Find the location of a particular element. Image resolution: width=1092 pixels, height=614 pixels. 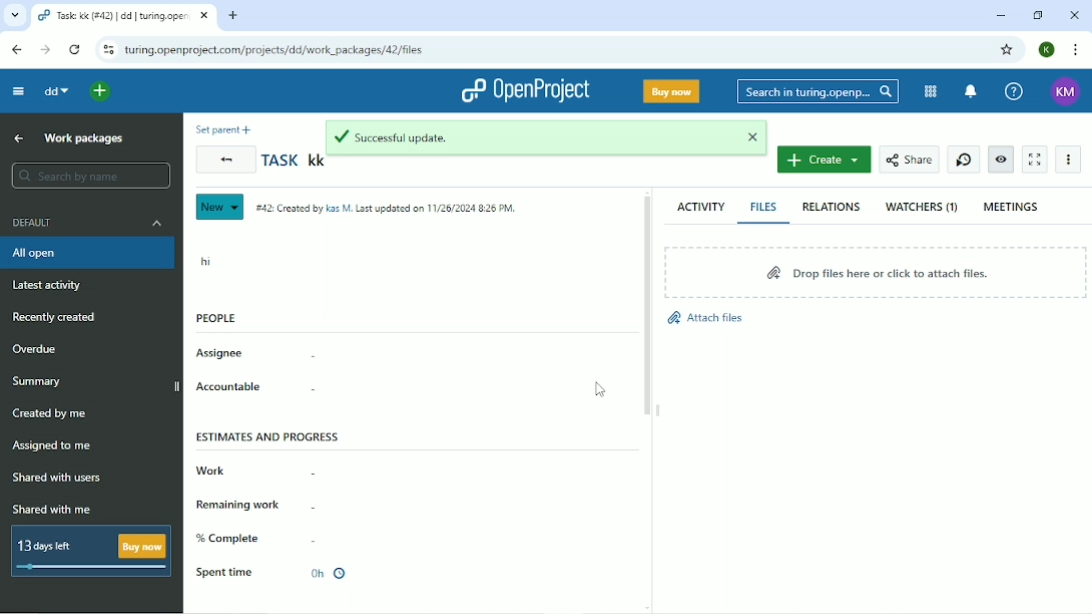

View site information is located at coordinates (106, 50).